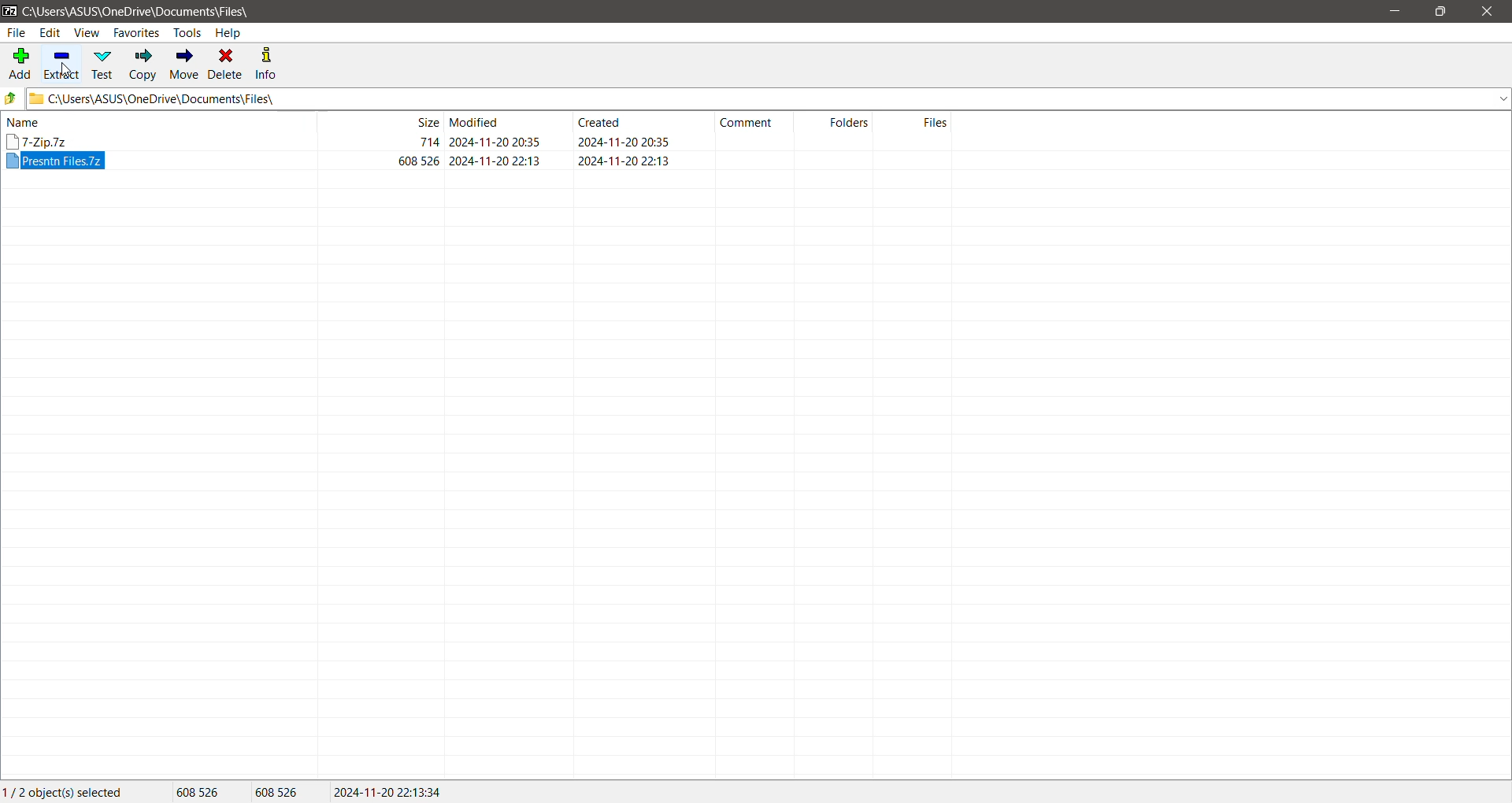 The image size is (1512, 803). What do you see at coordinates (105, 65) in the screenshot?
I see `Test` at bounding box center [105, 65].